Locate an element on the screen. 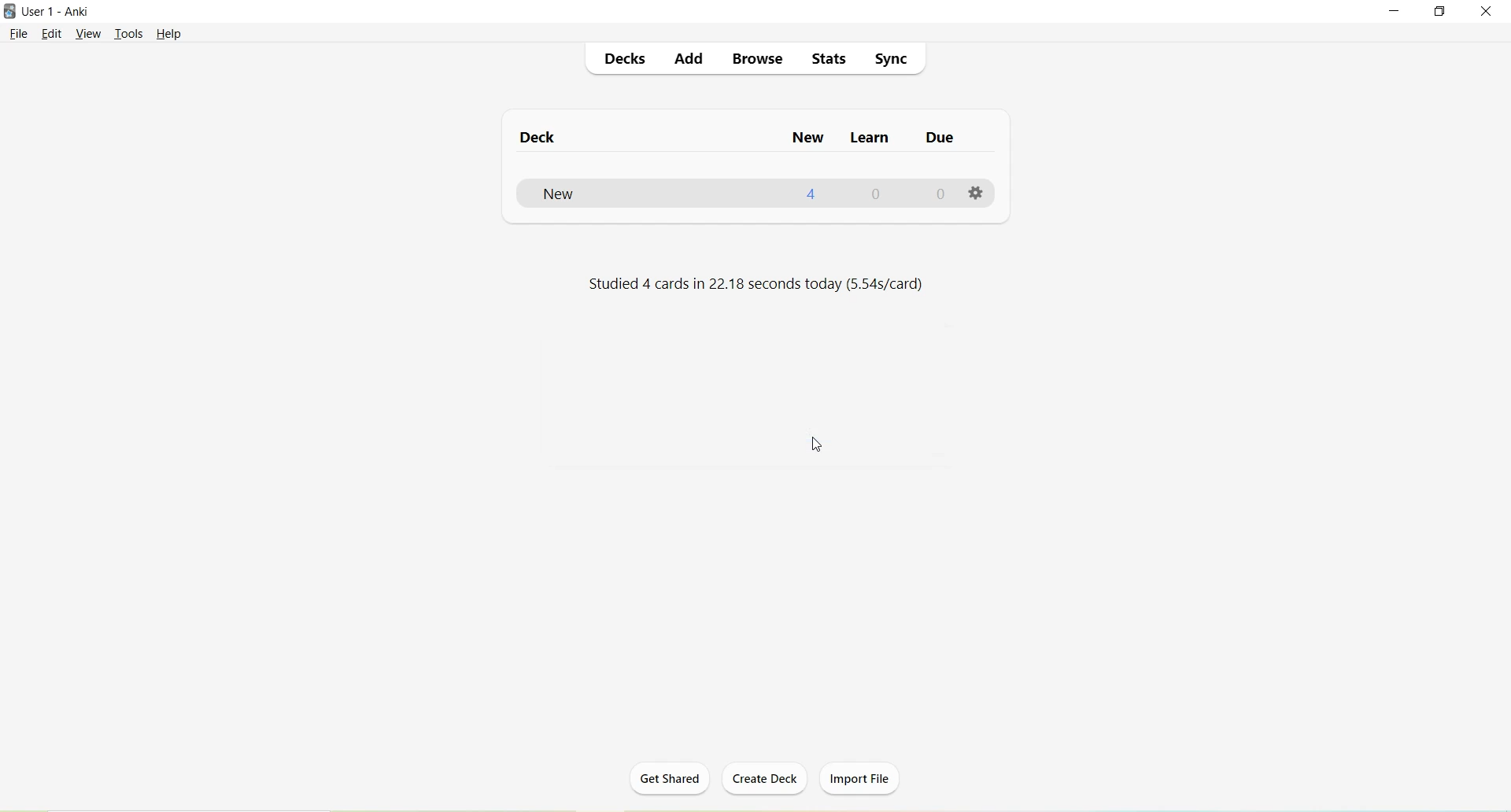 The width and height of the screenshot is (1511, 812). Minimize is located at coordinates (1397, 12).